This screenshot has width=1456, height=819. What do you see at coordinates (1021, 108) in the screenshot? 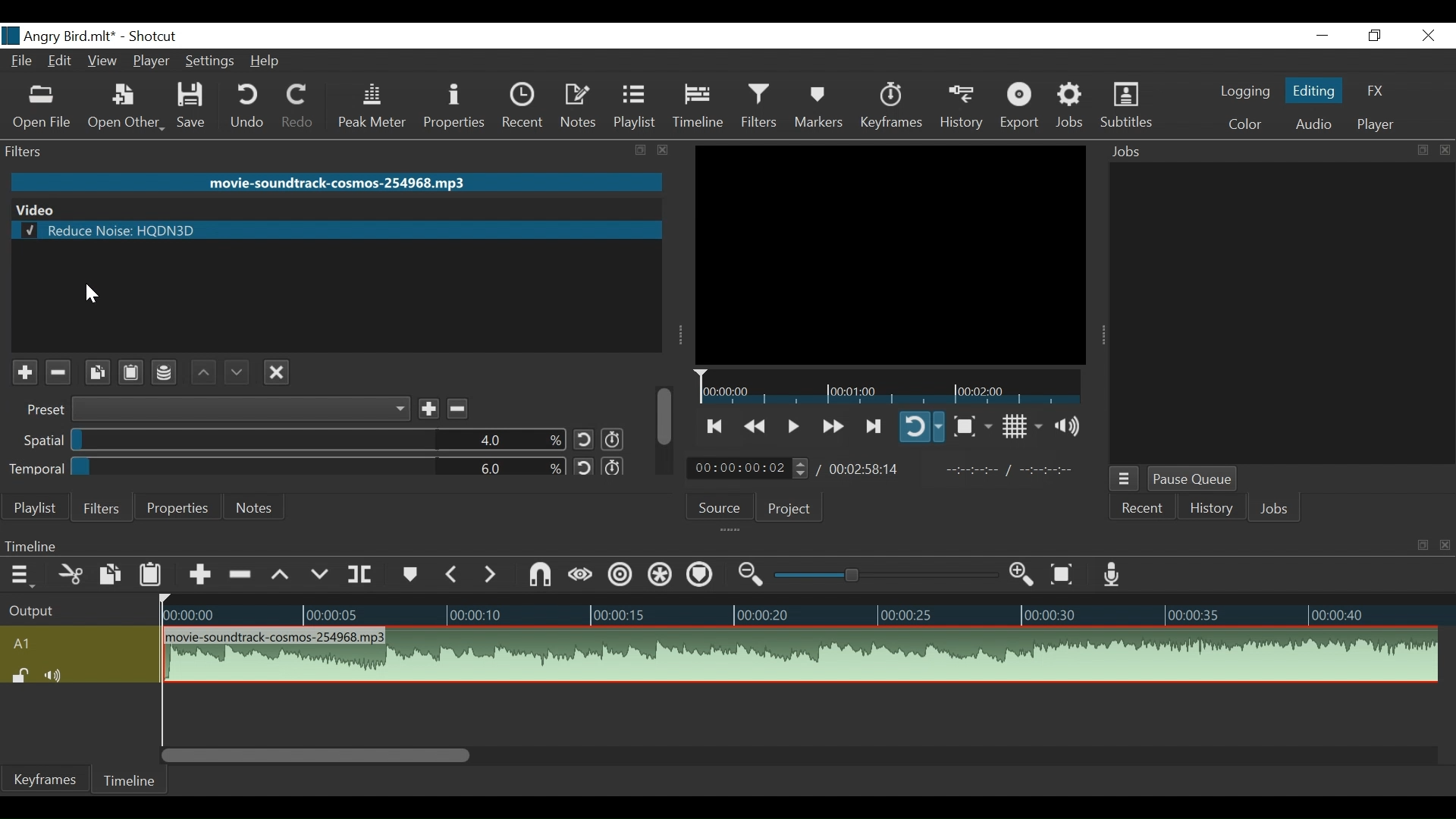
I see `Export` at bounding box center [1021, 108].